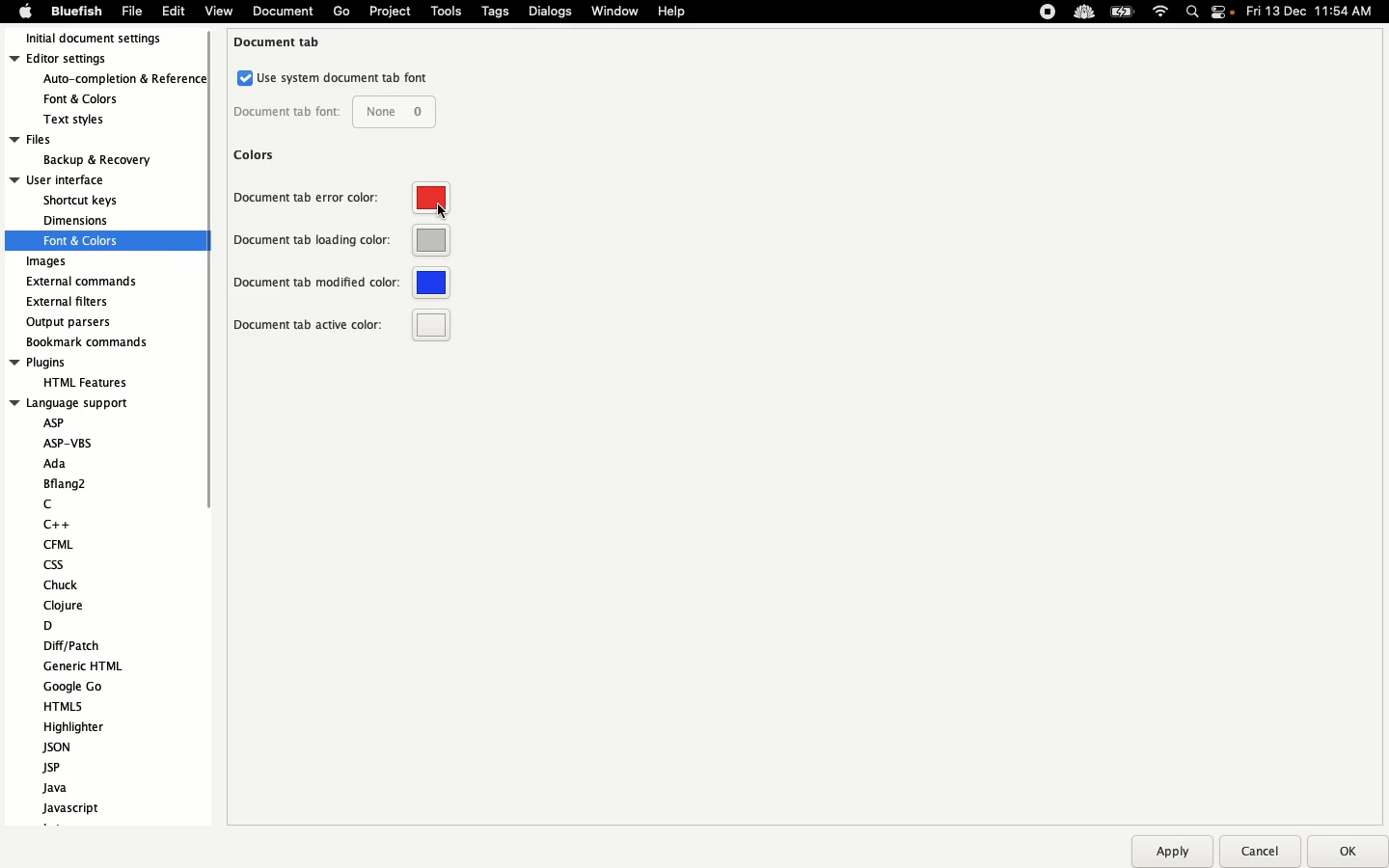 The width and height of the screenshot is (1389, 868). What do you see at coordinates (281, 13) in the screenshot?
I see `document` at bounding box center [281, 13].